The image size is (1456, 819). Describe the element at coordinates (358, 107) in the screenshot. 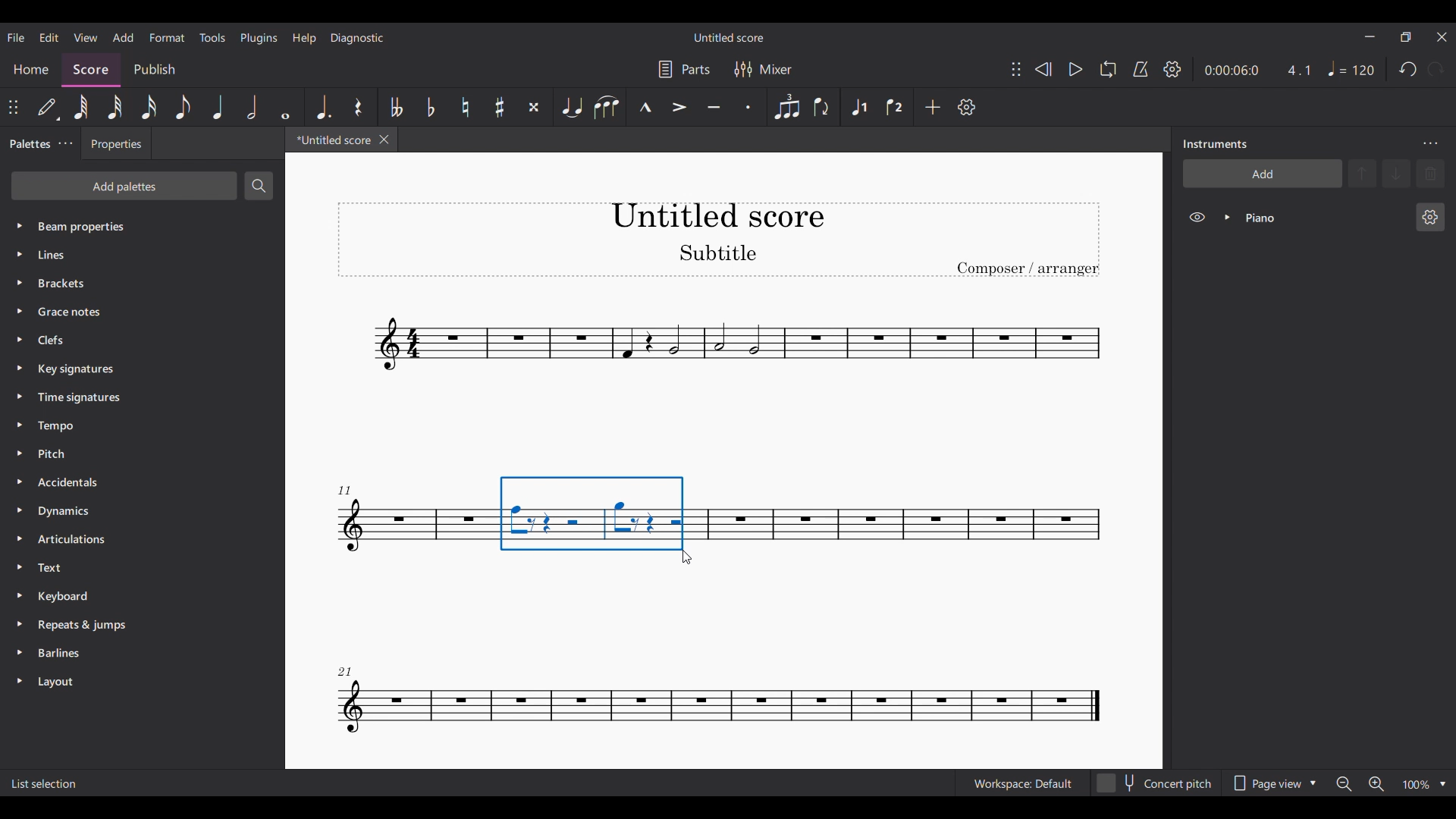

I see `Rest` at that location.